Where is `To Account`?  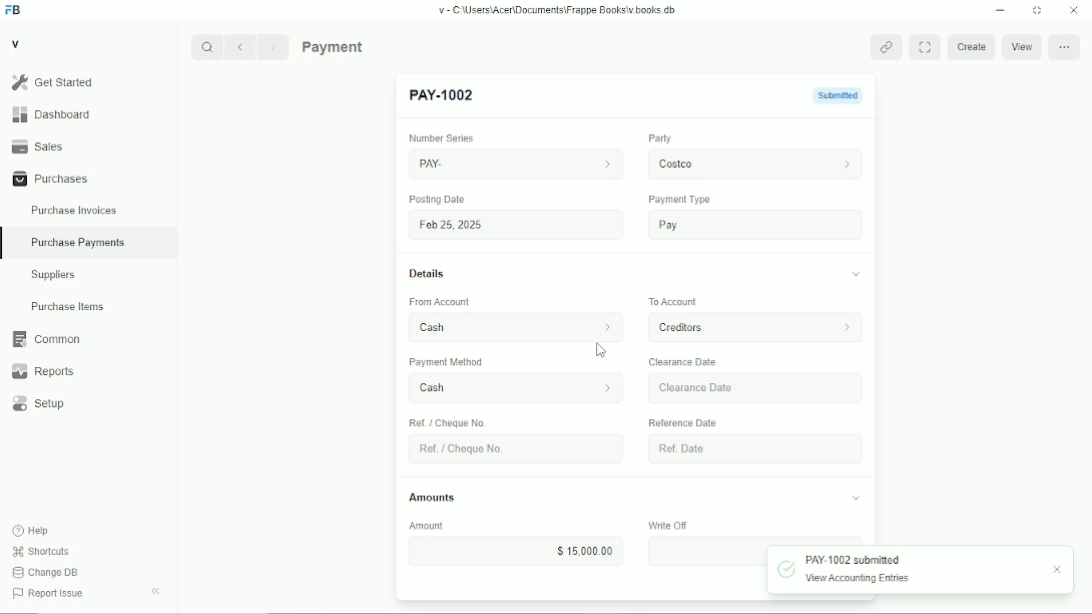
To Account is located at coordinates (747, 328).